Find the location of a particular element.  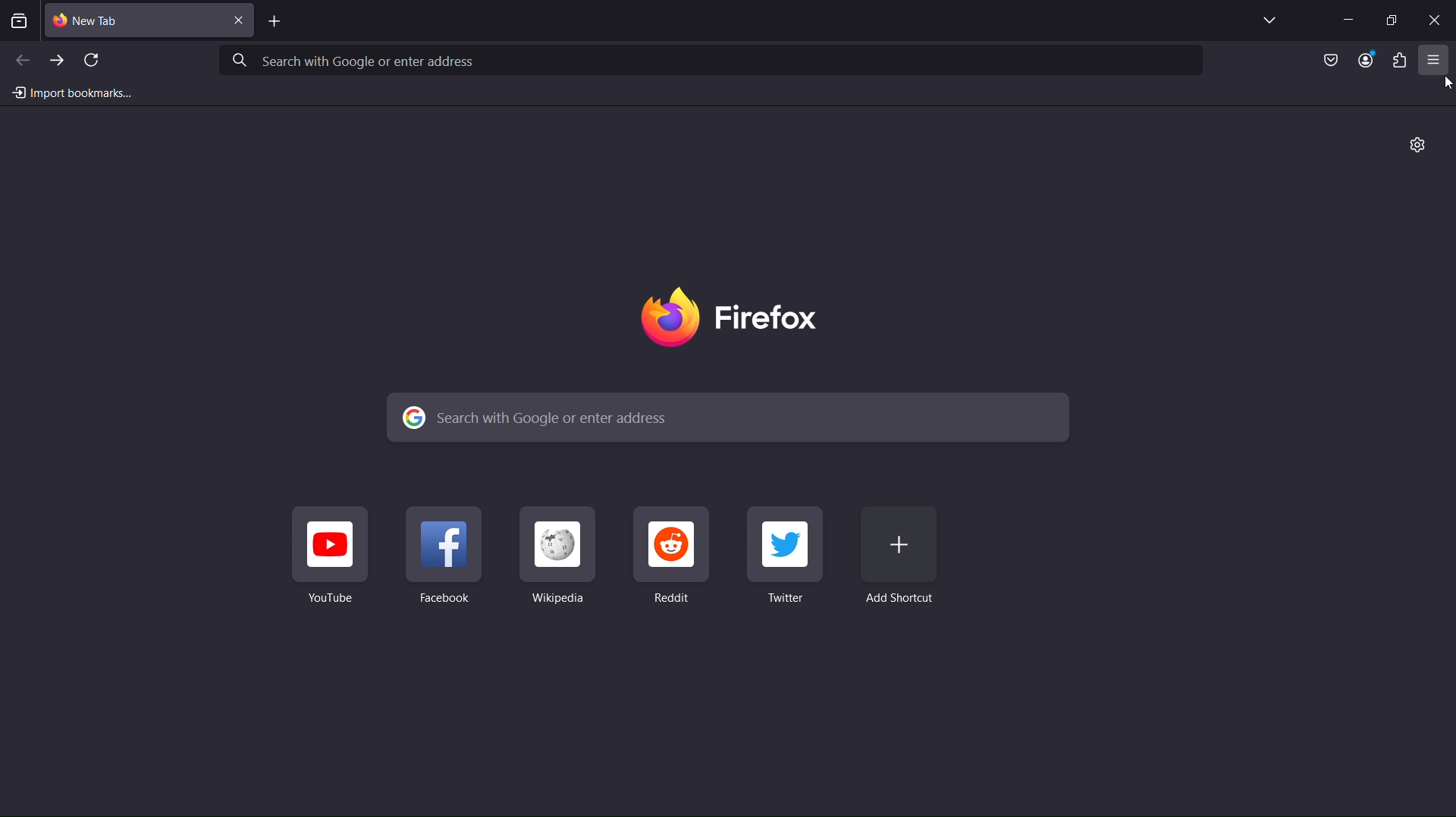

Account is located at coordinates (1370, 62).